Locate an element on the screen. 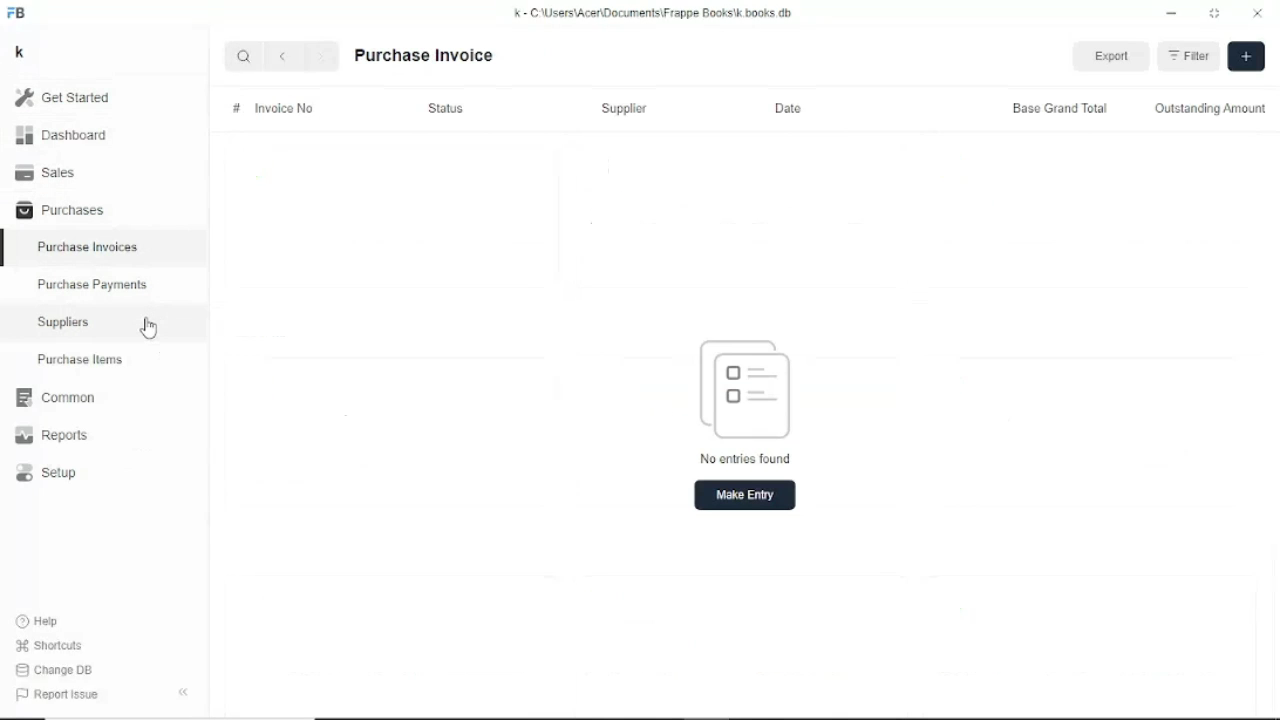  Back is located at coordinates (286, 56).